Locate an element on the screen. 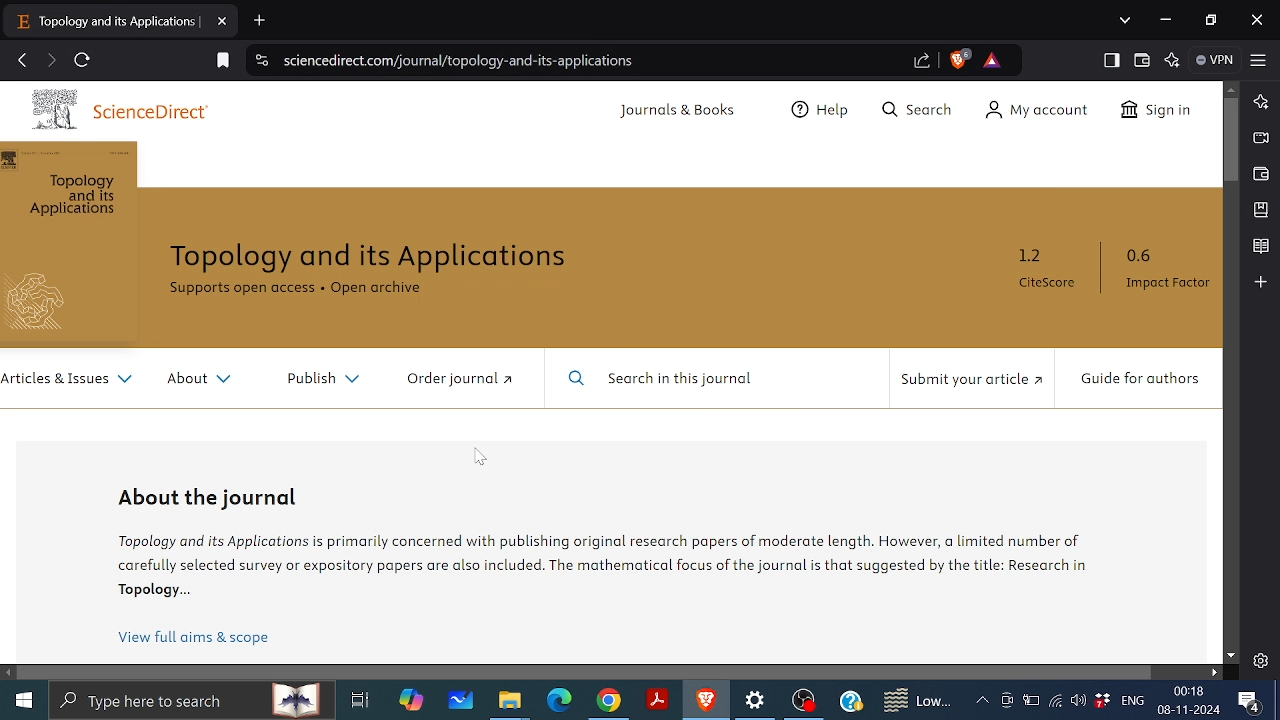 The height and width of the screenshot is (720, 1280). brave rewards is located at coordinates (996, 61).